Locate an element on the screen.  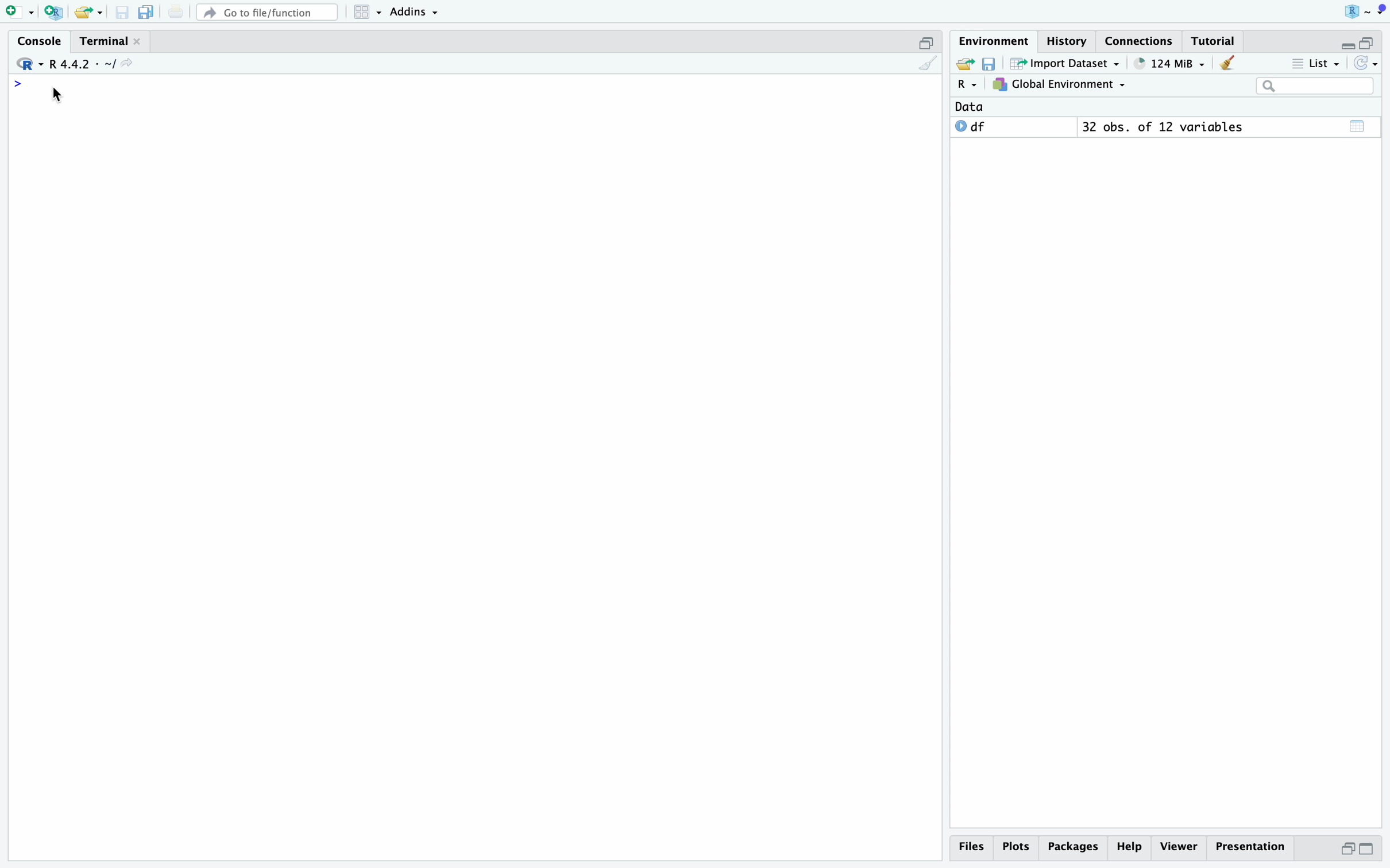
open in separate window is located at coordinates (927, 43).